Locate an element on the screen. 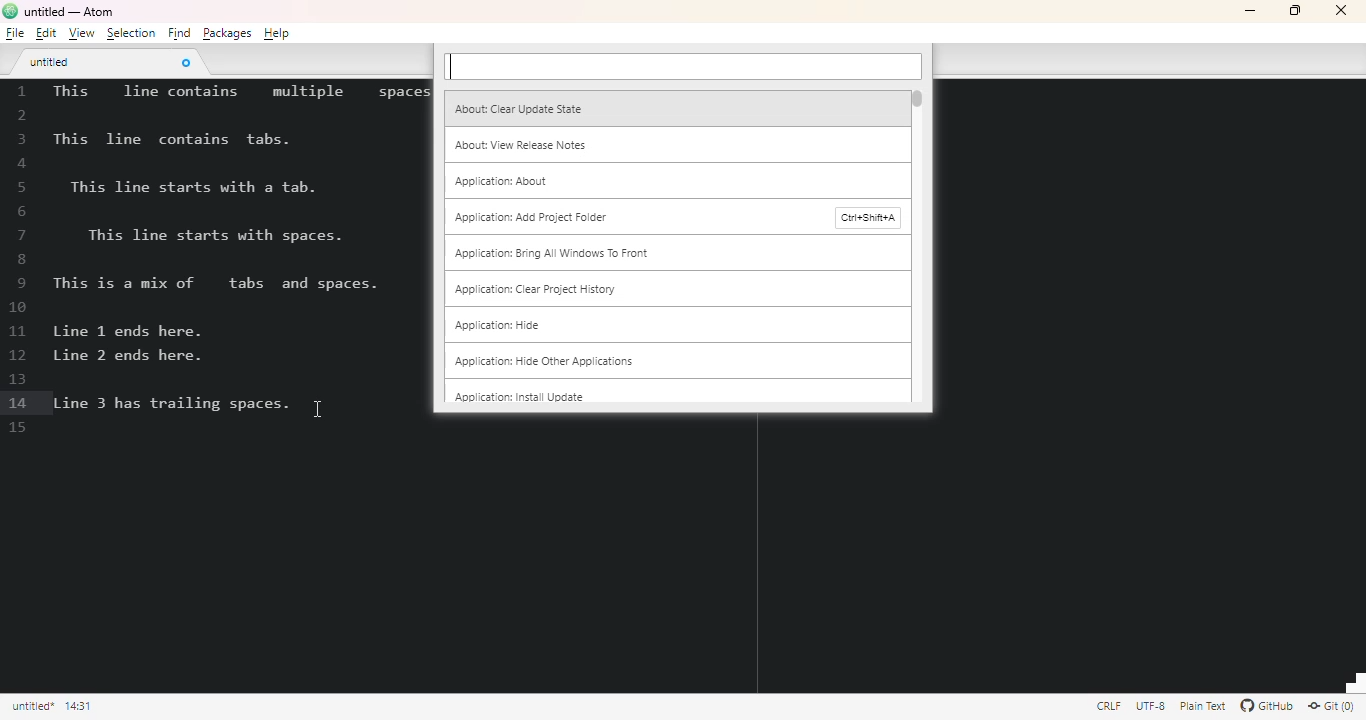 The image size is (1366, 720). find is located at coordinates (179, 33).